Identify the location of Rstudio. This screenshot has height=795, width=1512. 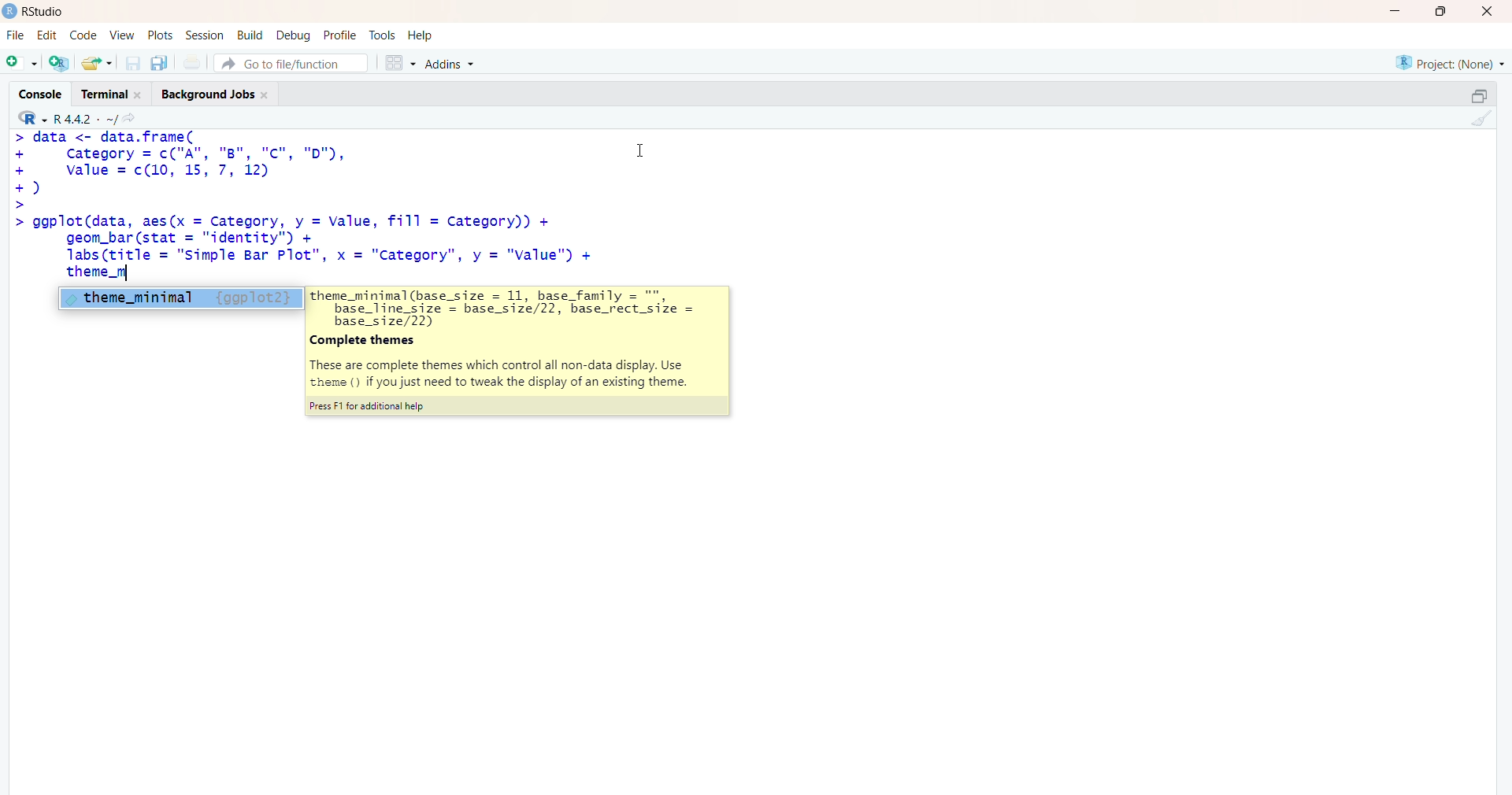
(48, 12).